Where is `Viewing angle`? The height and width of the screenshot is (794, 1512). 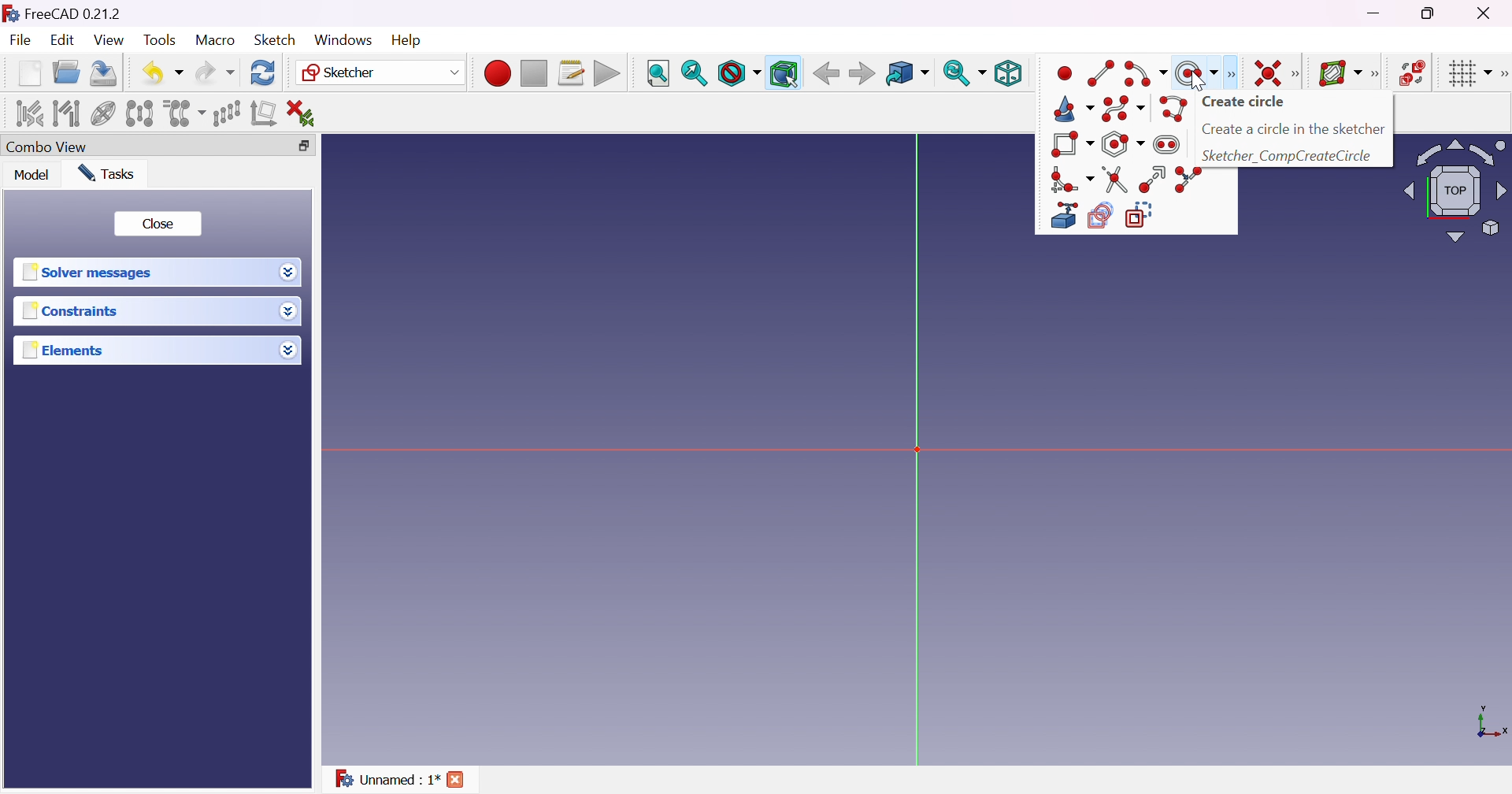 Viewing angle is located at coordinates (1455, 190).